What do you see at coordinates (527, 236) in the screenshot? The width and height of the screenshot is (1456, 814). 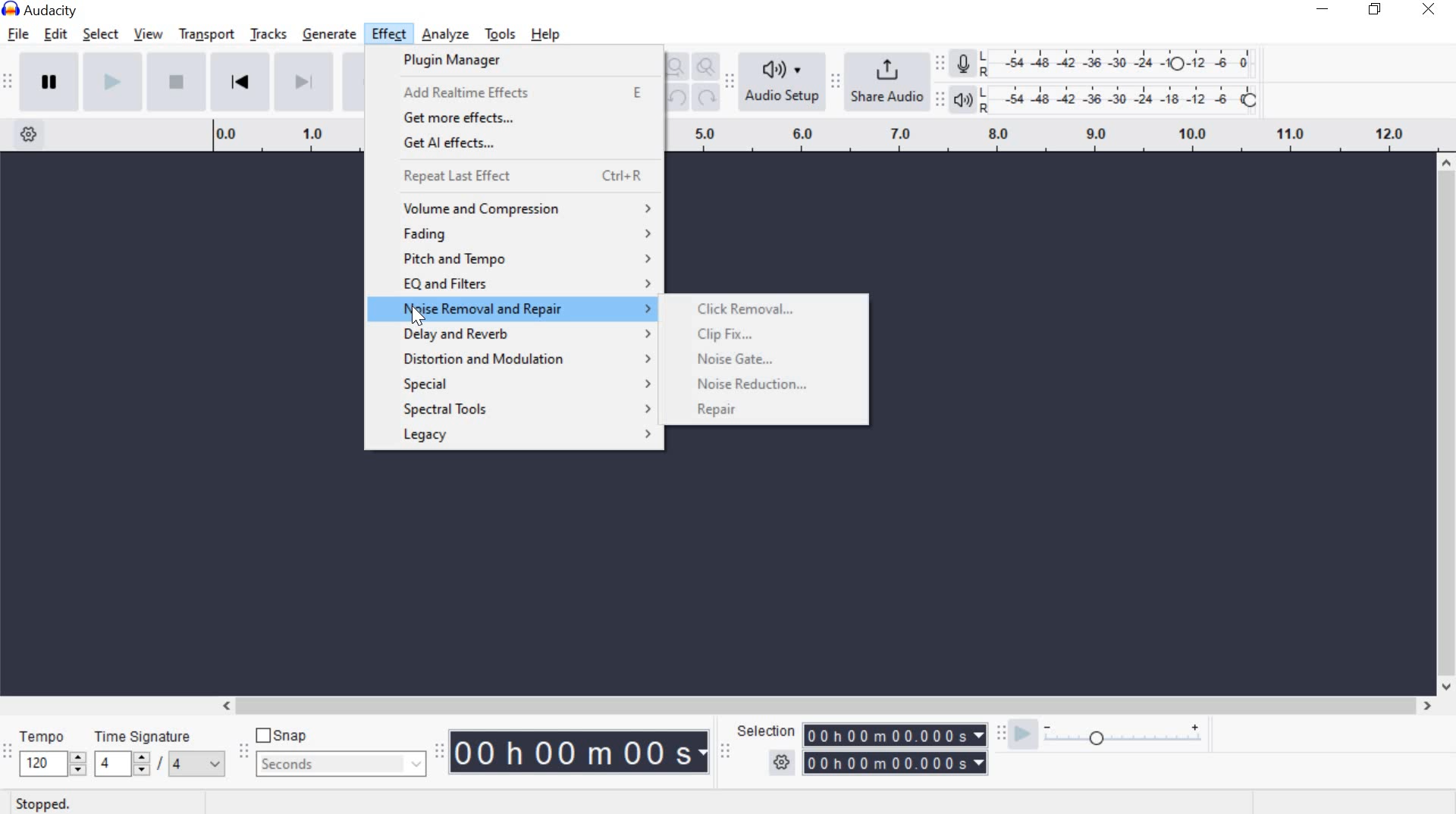 I see `fading` at bounding box center [527, 236].